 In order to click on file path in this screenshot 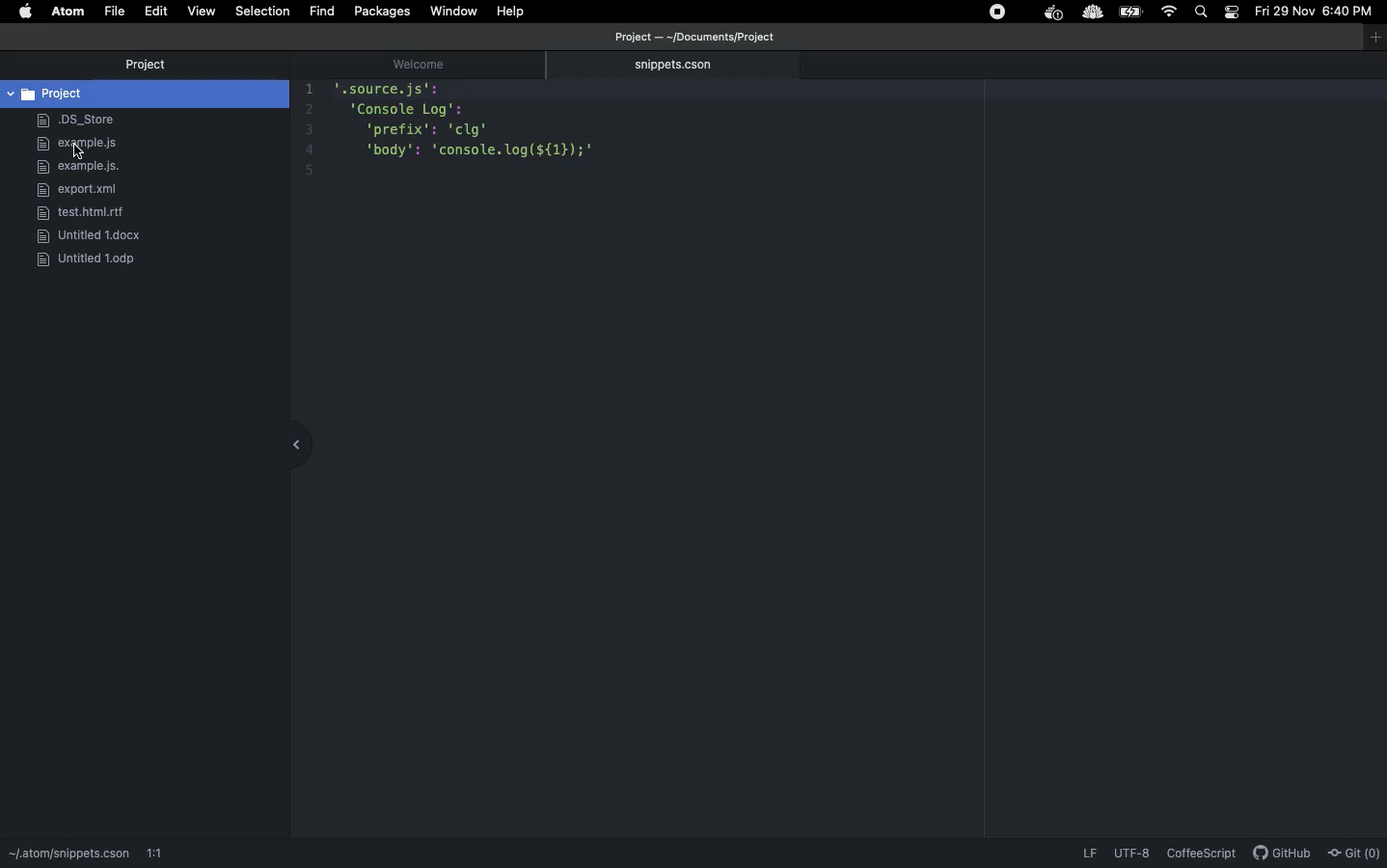, I will do `click(688, 37)`.